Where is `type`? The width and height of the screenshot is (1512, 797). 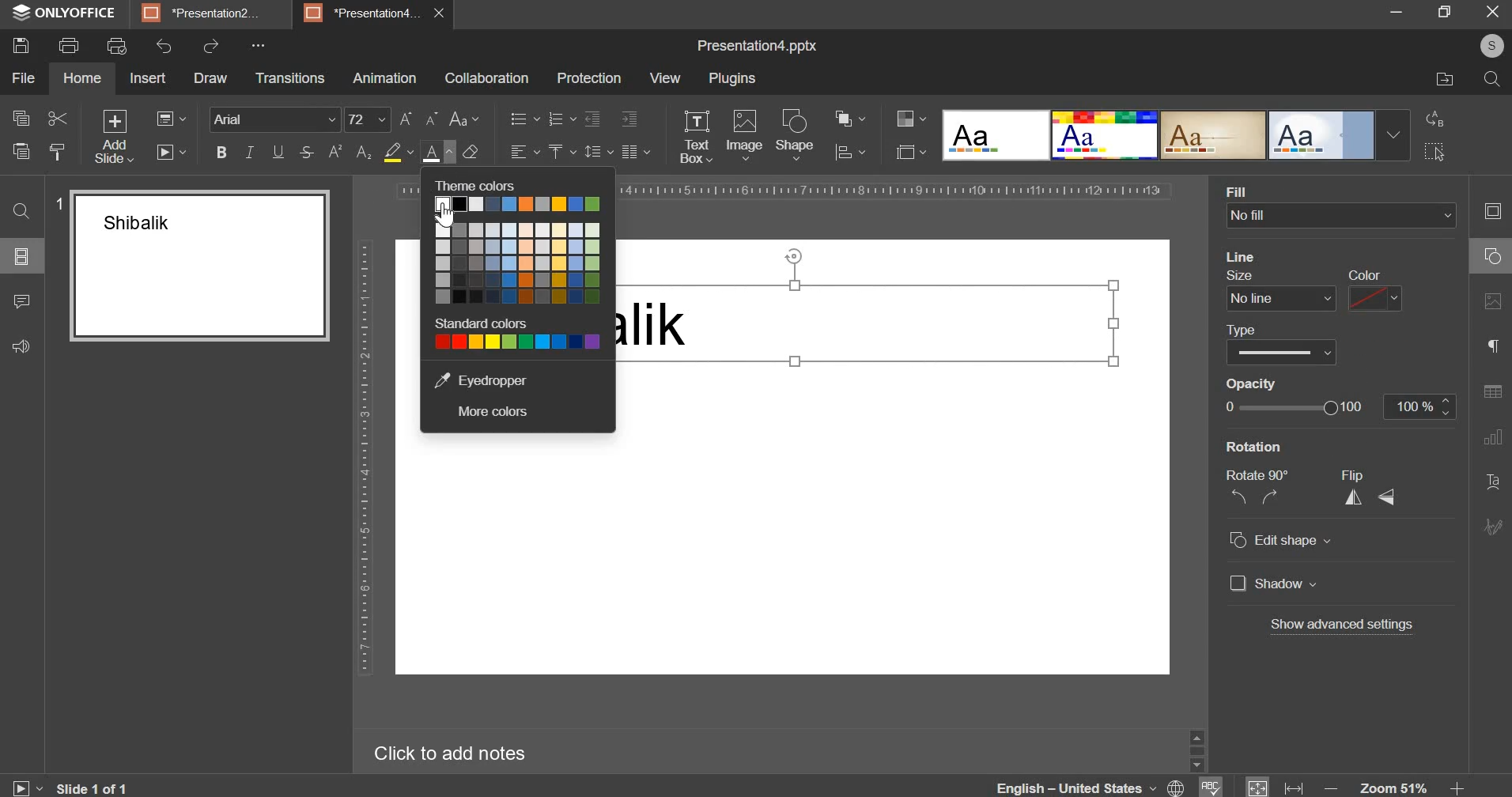 type is located at coordinates (1280, 342).